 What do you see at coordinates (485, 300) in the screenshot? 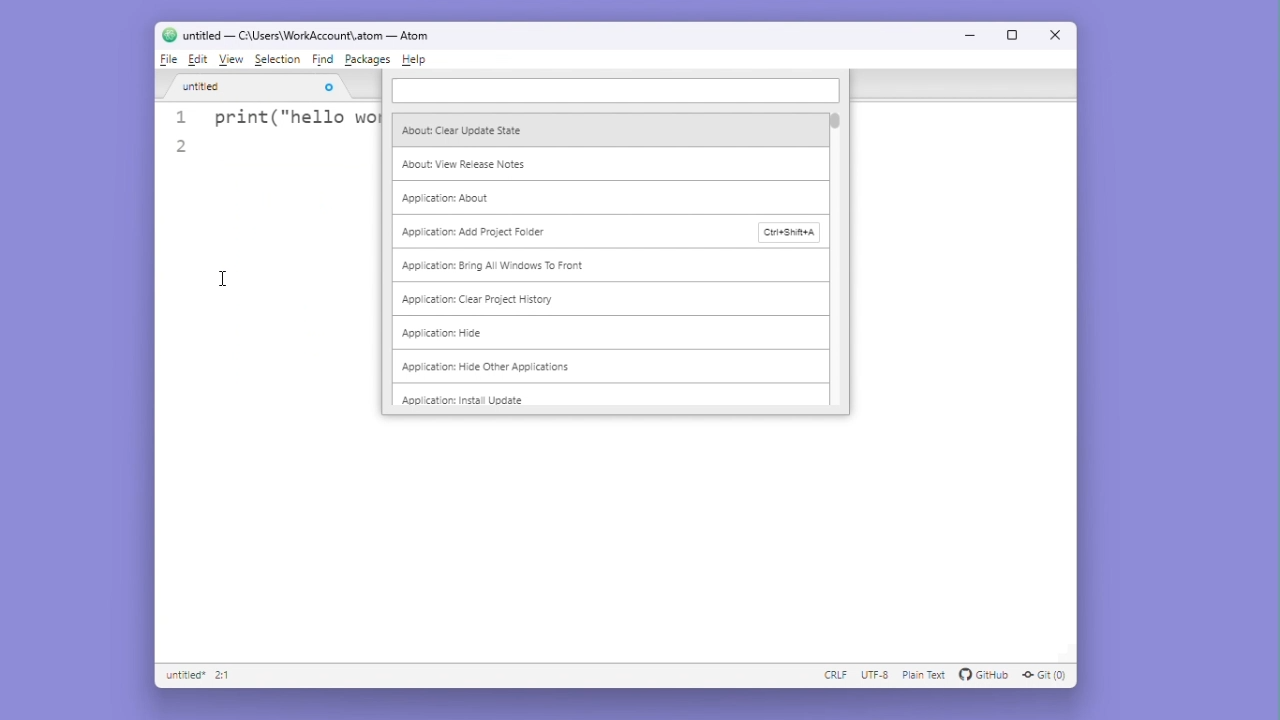
I see `Application clear project history` at bounding box center [485, 300].